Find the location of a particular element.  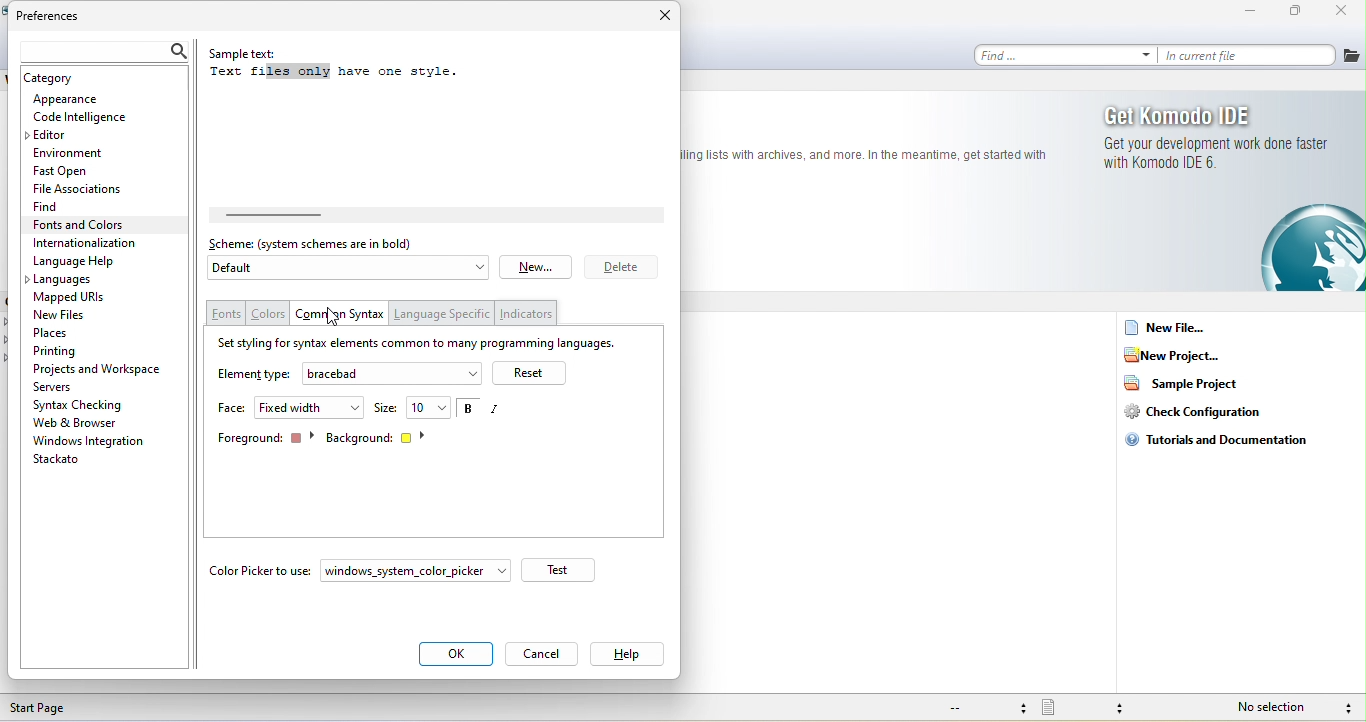

cursor movement is located at coordinates (331, 317).